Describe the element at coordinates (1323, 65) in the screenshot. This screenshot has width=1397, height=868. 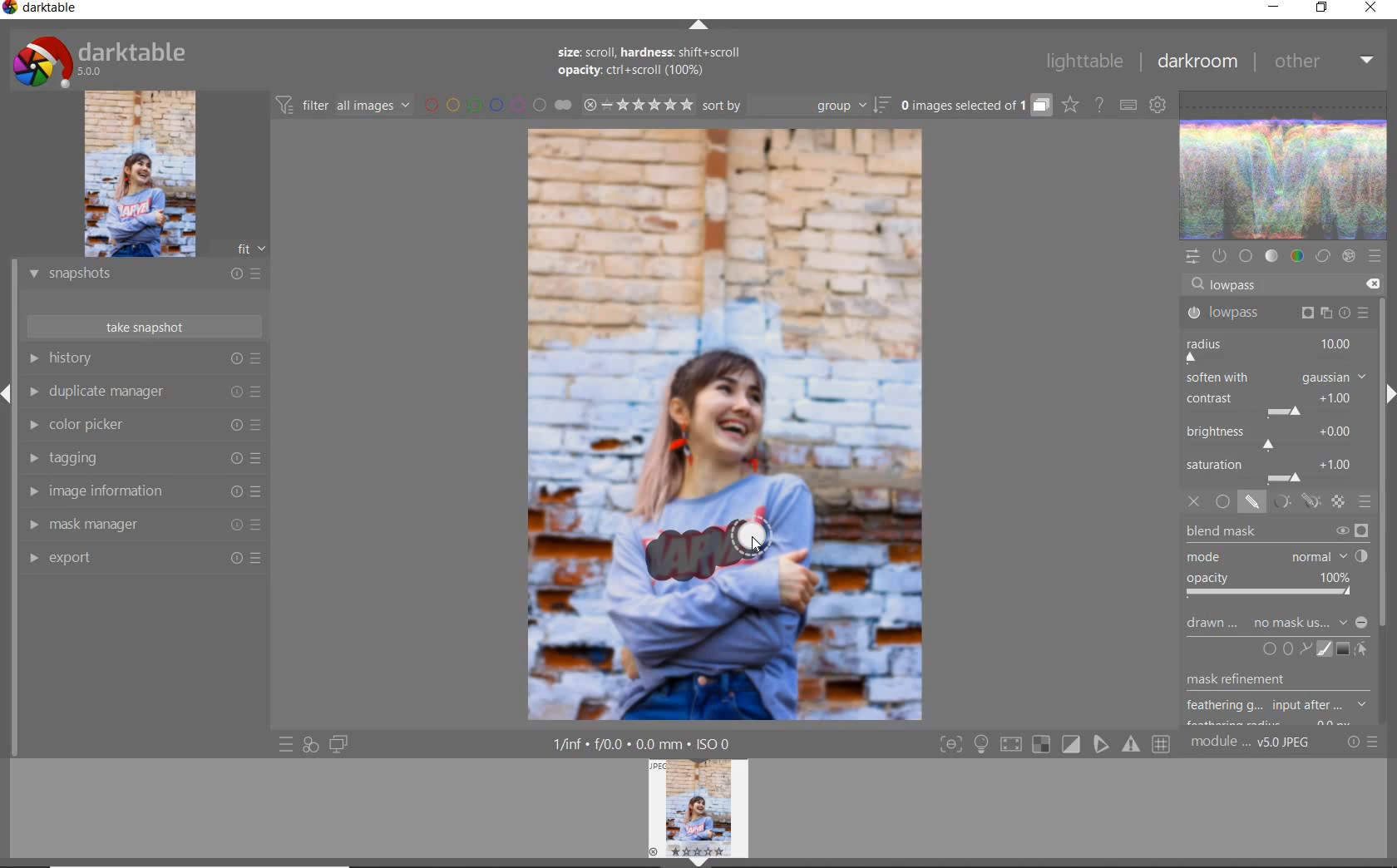
I see `other` at that location.